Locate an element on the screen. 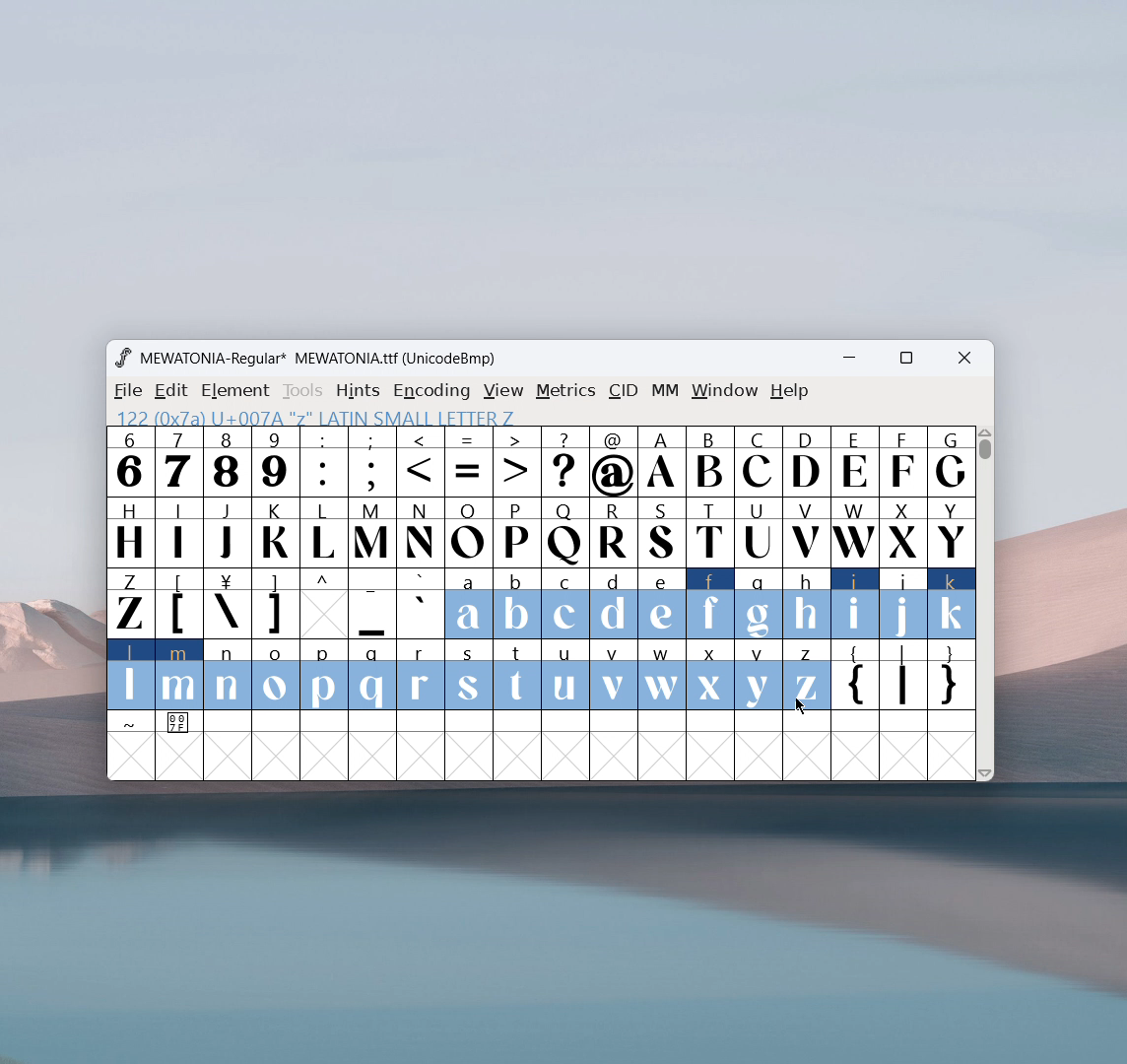  W is located at coordinates (853, 532).